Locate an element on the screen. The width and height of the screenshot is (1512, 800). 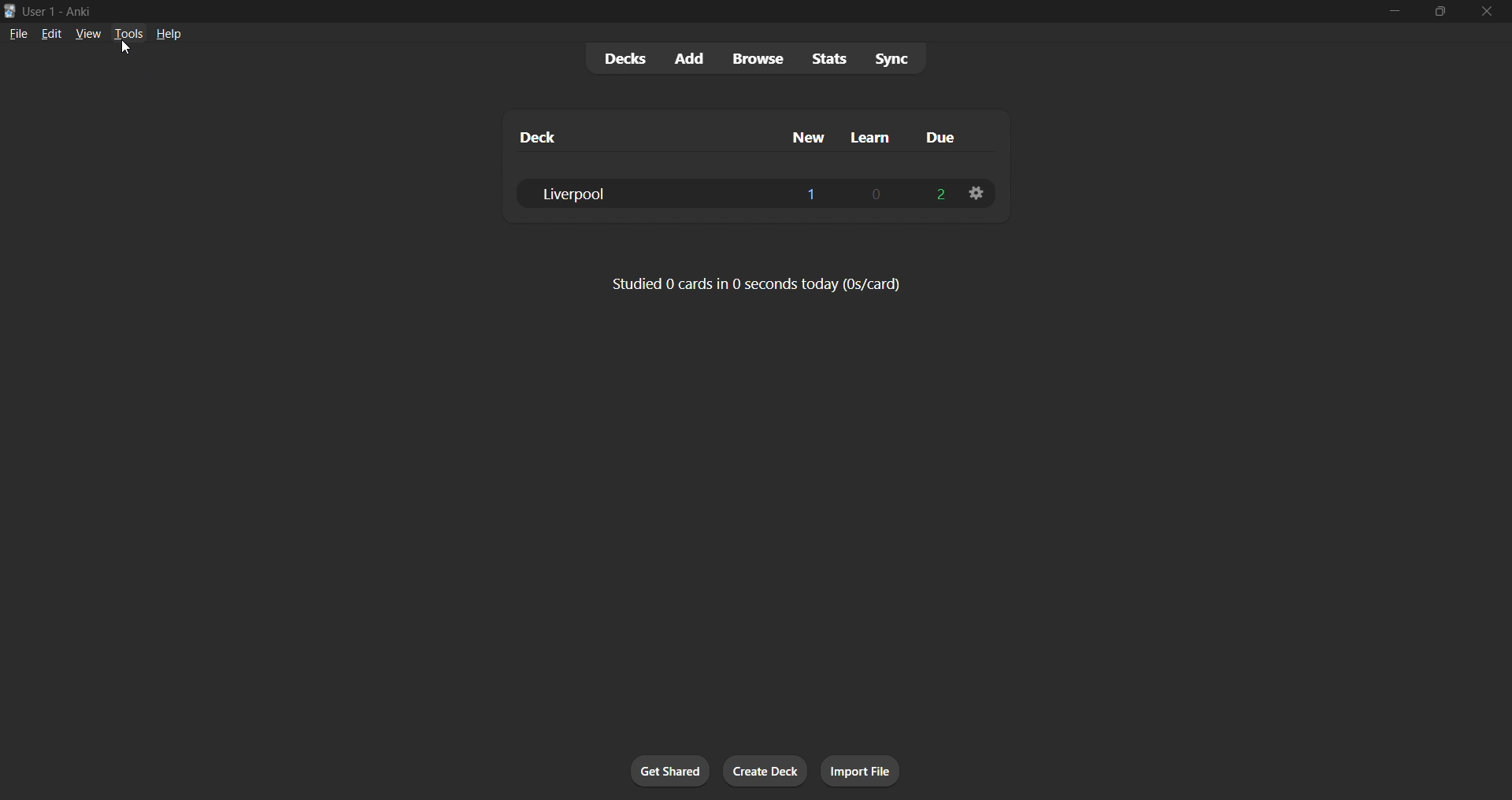
2 is located at coordinates (936, 194).